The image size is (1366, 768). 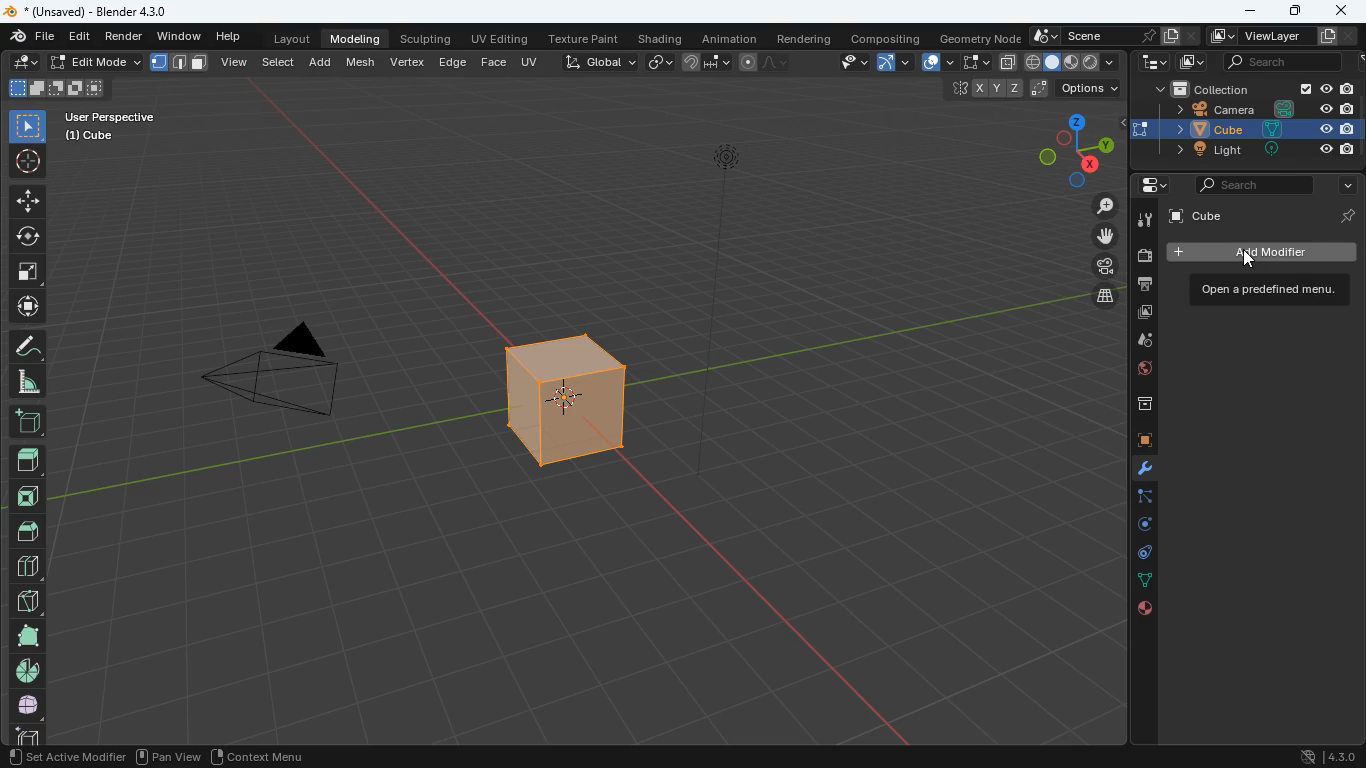 I want to click on edge, so click(x=1141, y=500).